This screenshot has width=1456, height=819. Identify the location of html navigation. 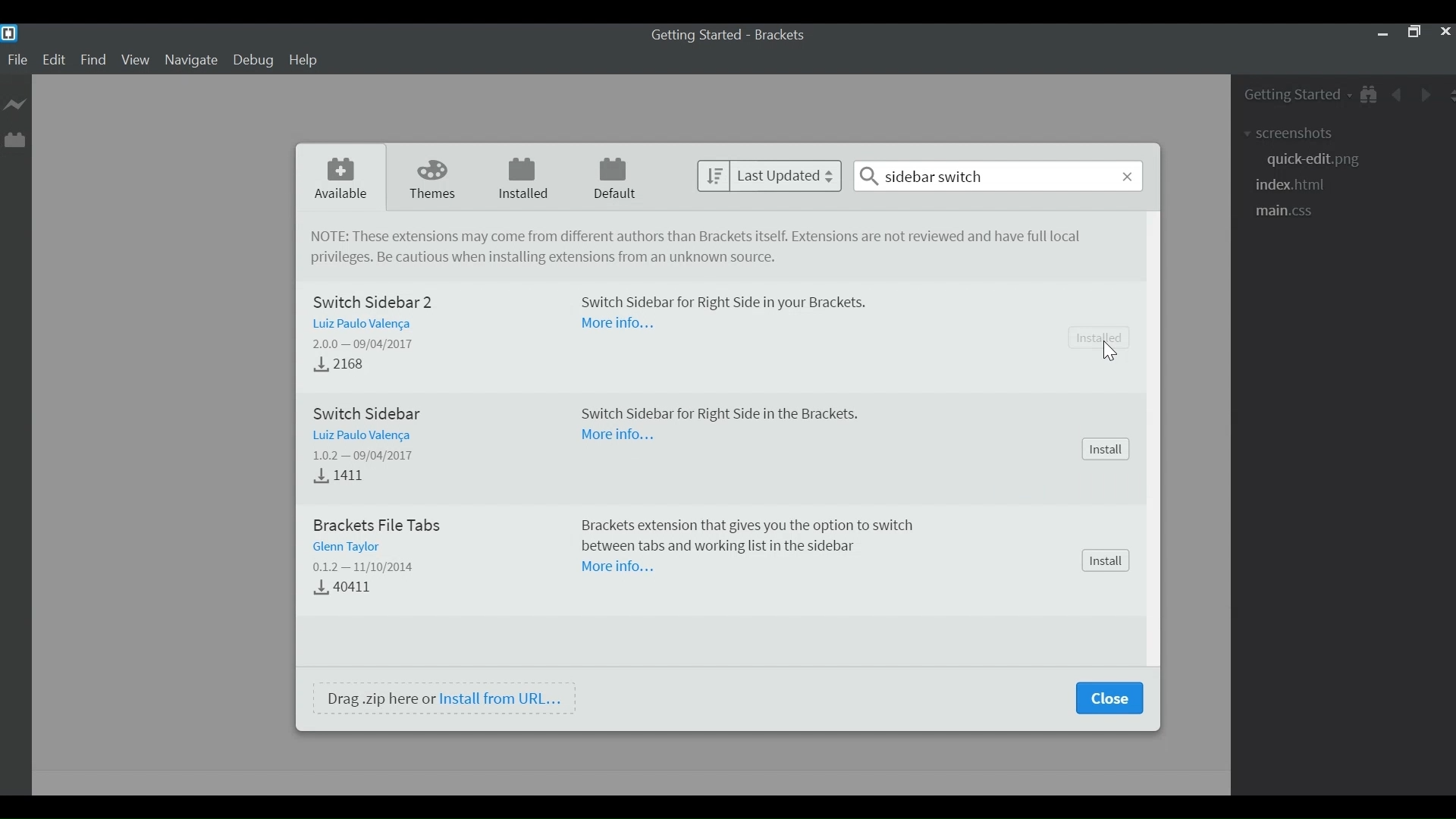
(1297, 186).